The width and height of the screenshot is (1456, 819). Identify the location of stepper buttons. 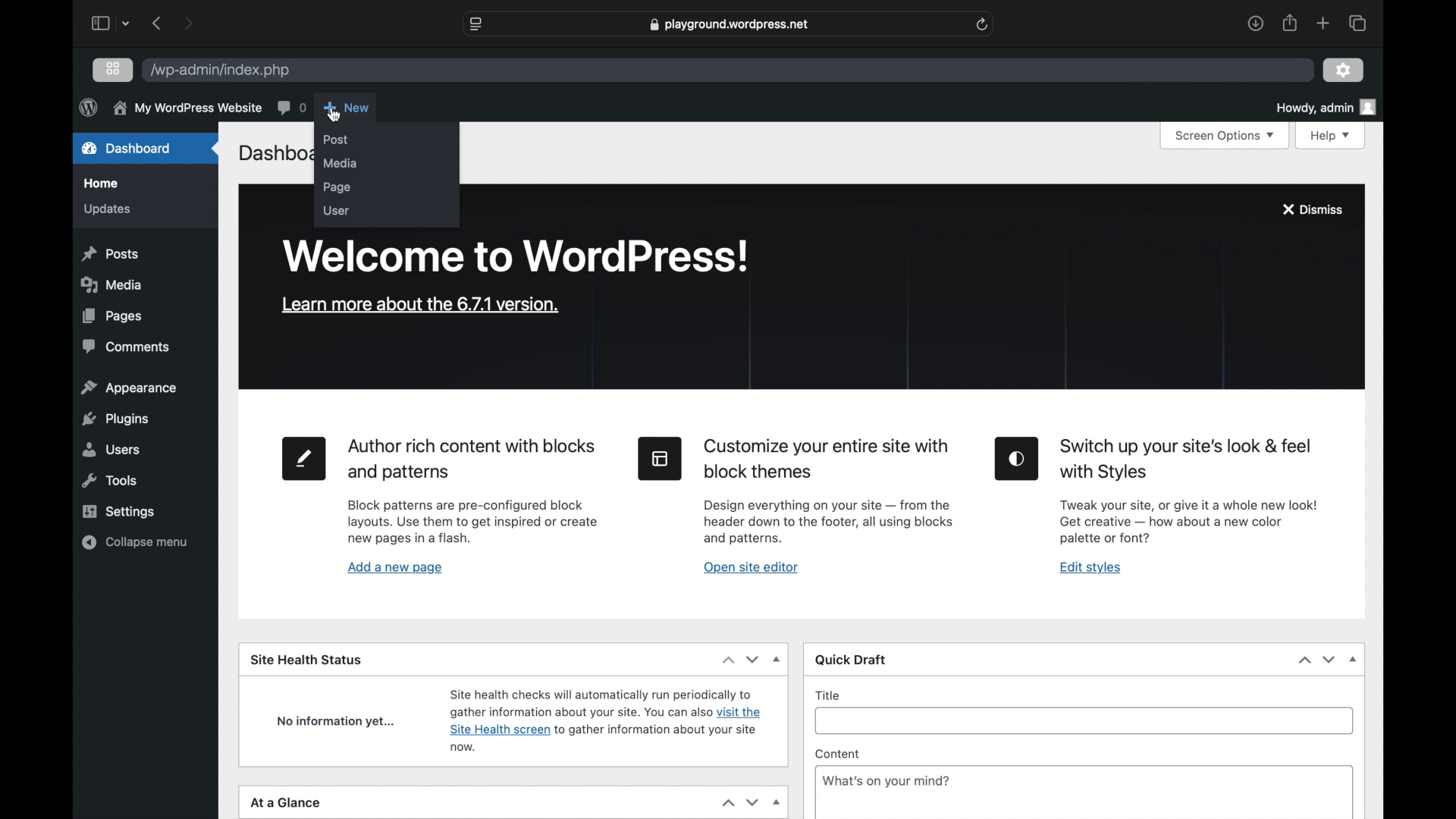
(1317, 660).